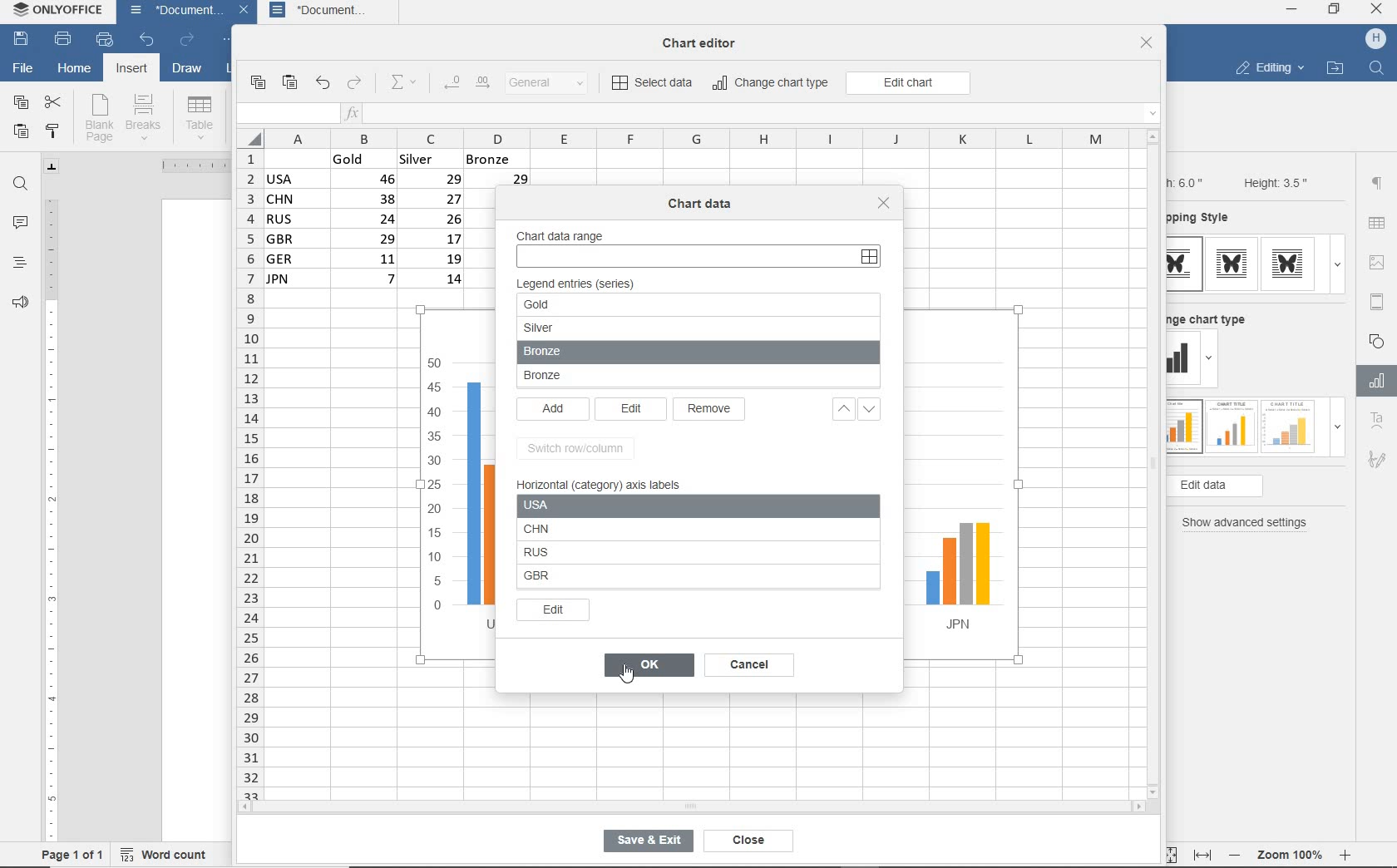 The image size is (1397, 868). What do you see at coordinates (608, 483) in the screenshot?
I see `horizontal (category) axis label` at bounding box center [608, 483].